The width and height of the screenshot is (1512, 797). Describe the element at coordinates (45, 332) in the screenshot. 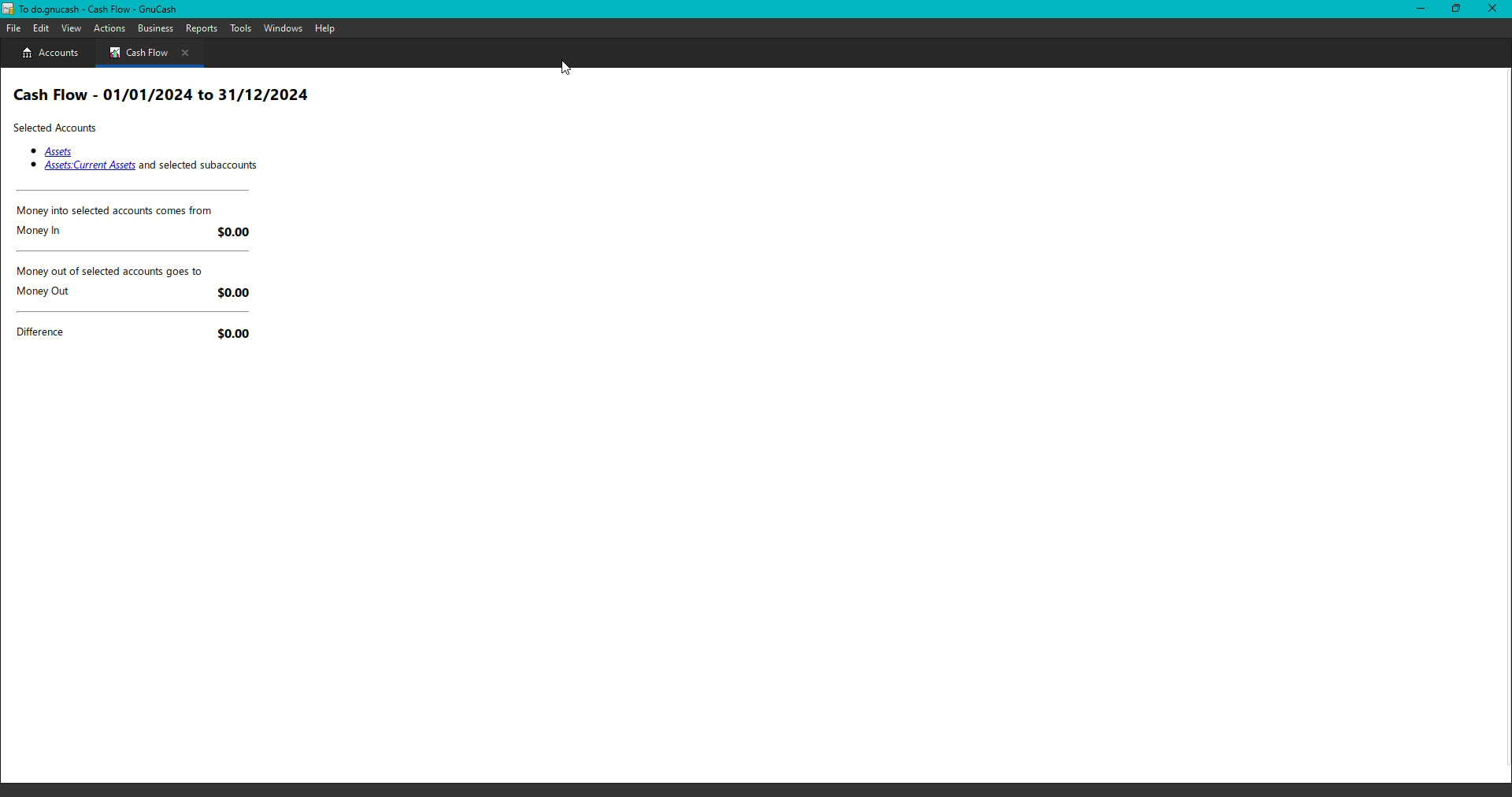

I see `Difference` at that location.